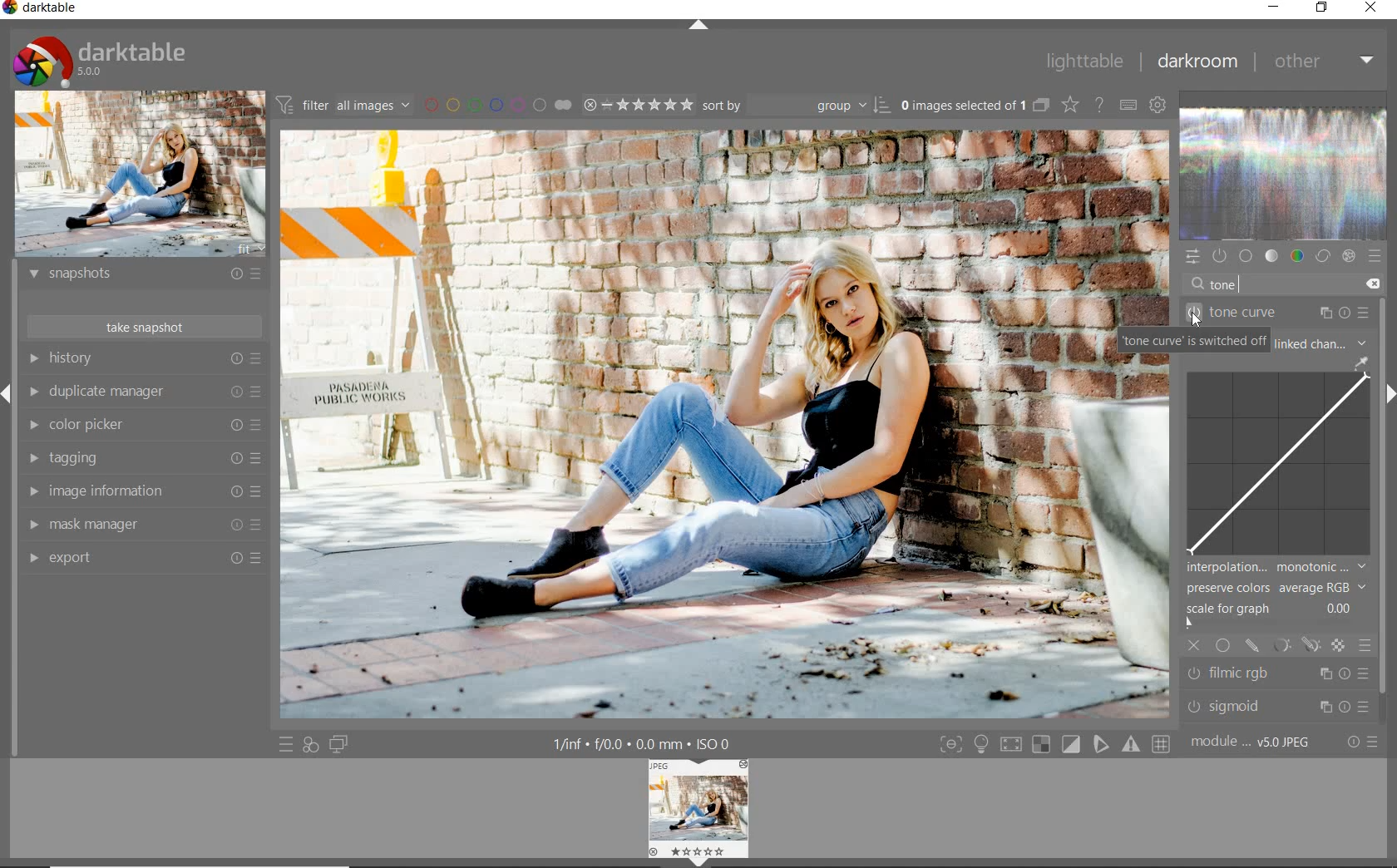 Image resolution: width=1397 pixels, height=868 pixels. What do you see at coordinates (1196, 645) in the screenshot?
I see `off` at bounding box center [1196, 645].